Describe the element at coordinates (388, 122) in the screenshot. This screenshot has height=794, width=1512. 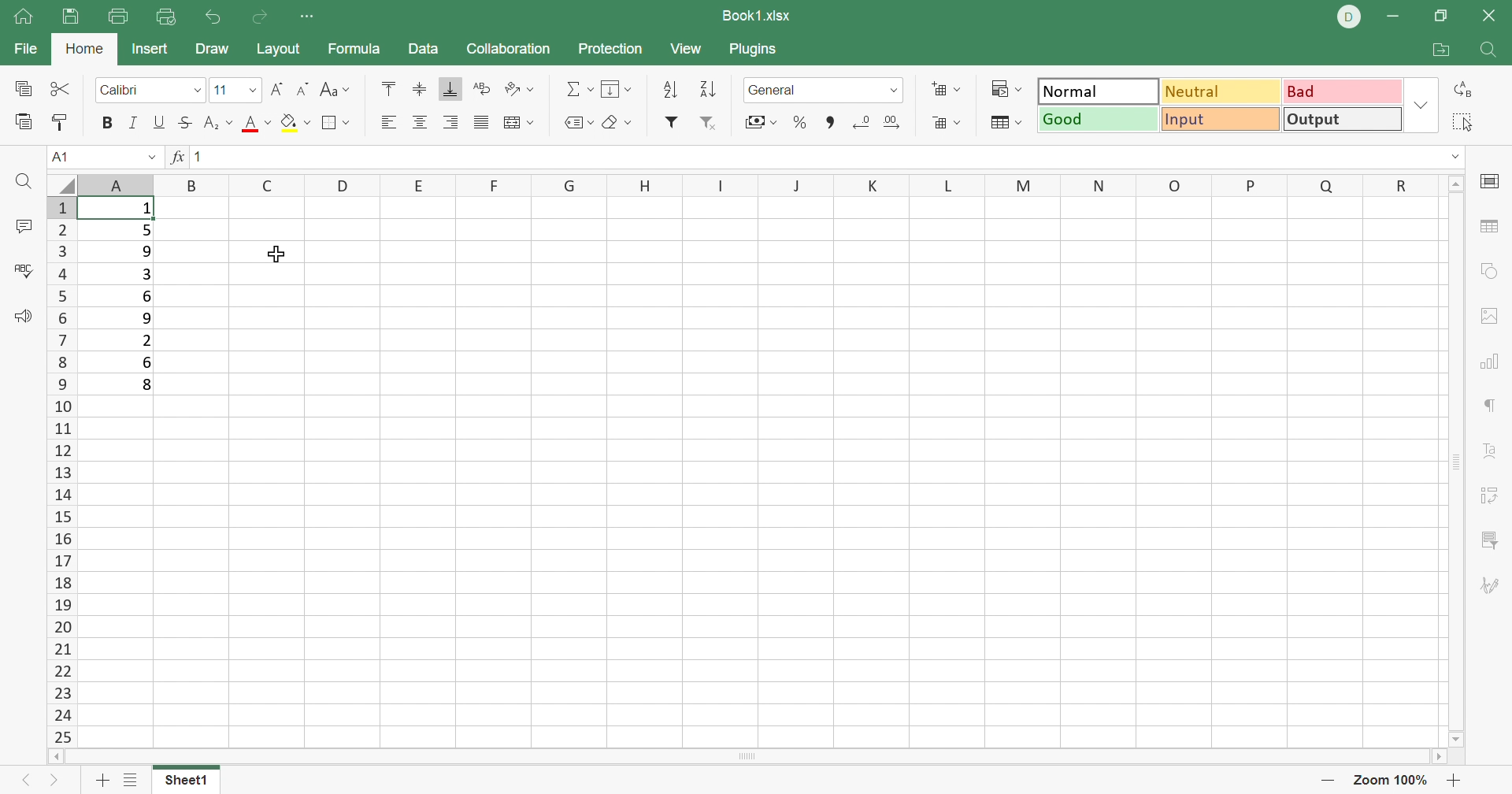
I see `Align Left` at that location.